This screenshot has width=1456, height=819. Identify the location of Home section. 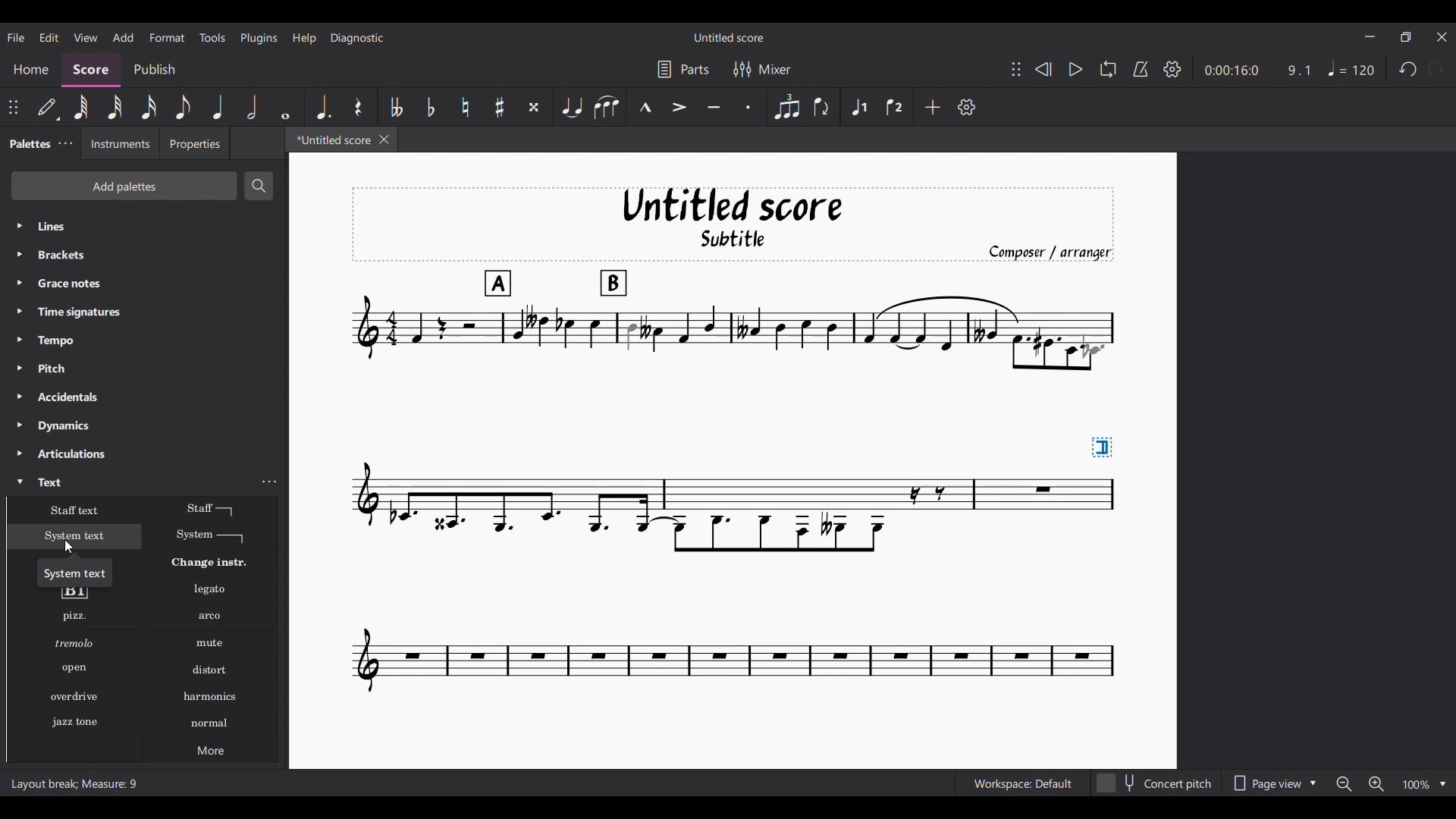
(30, 70).